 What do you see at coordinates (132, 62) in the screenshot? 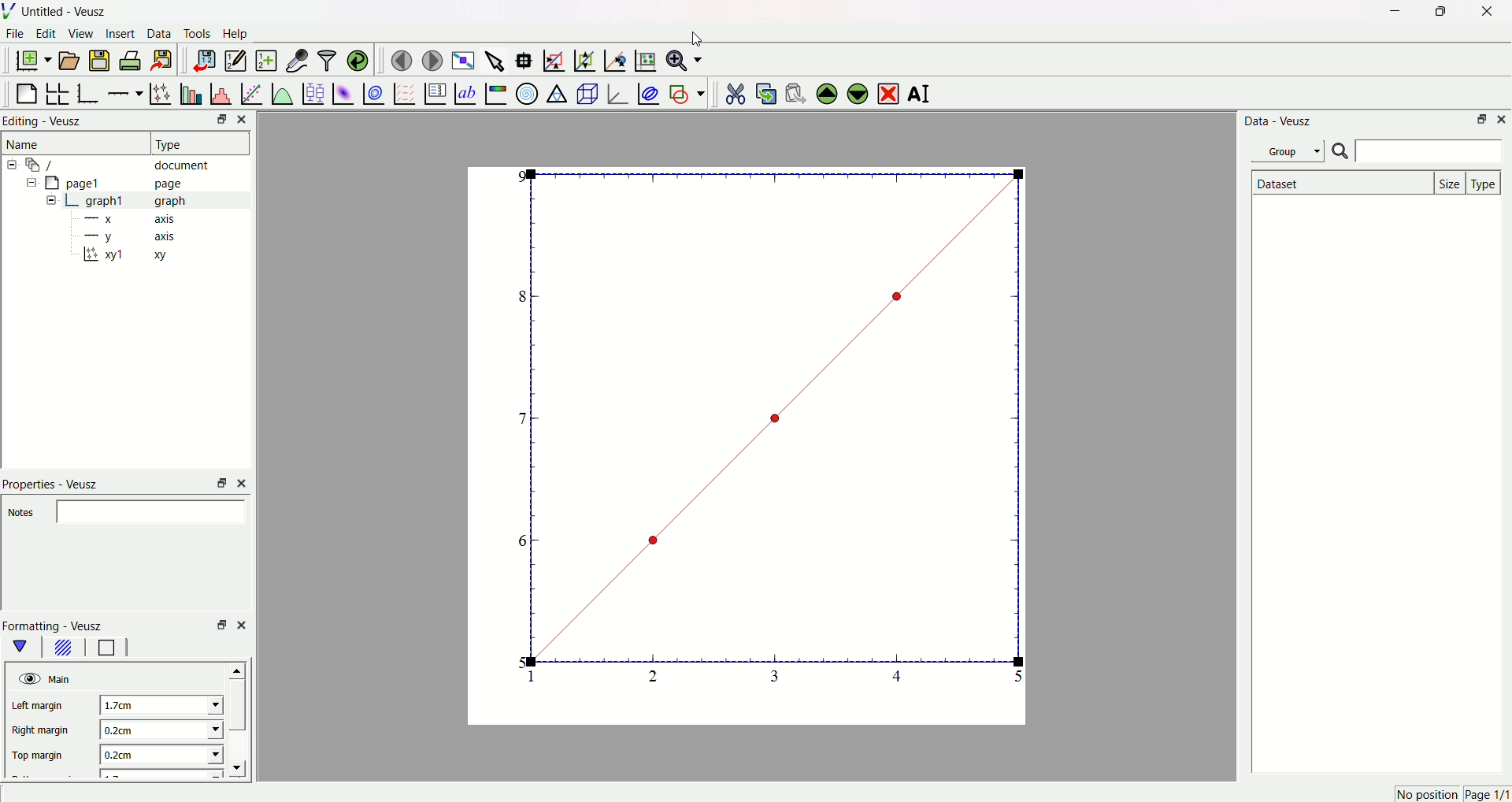
I see `print document` at bounding box center [132, 62].